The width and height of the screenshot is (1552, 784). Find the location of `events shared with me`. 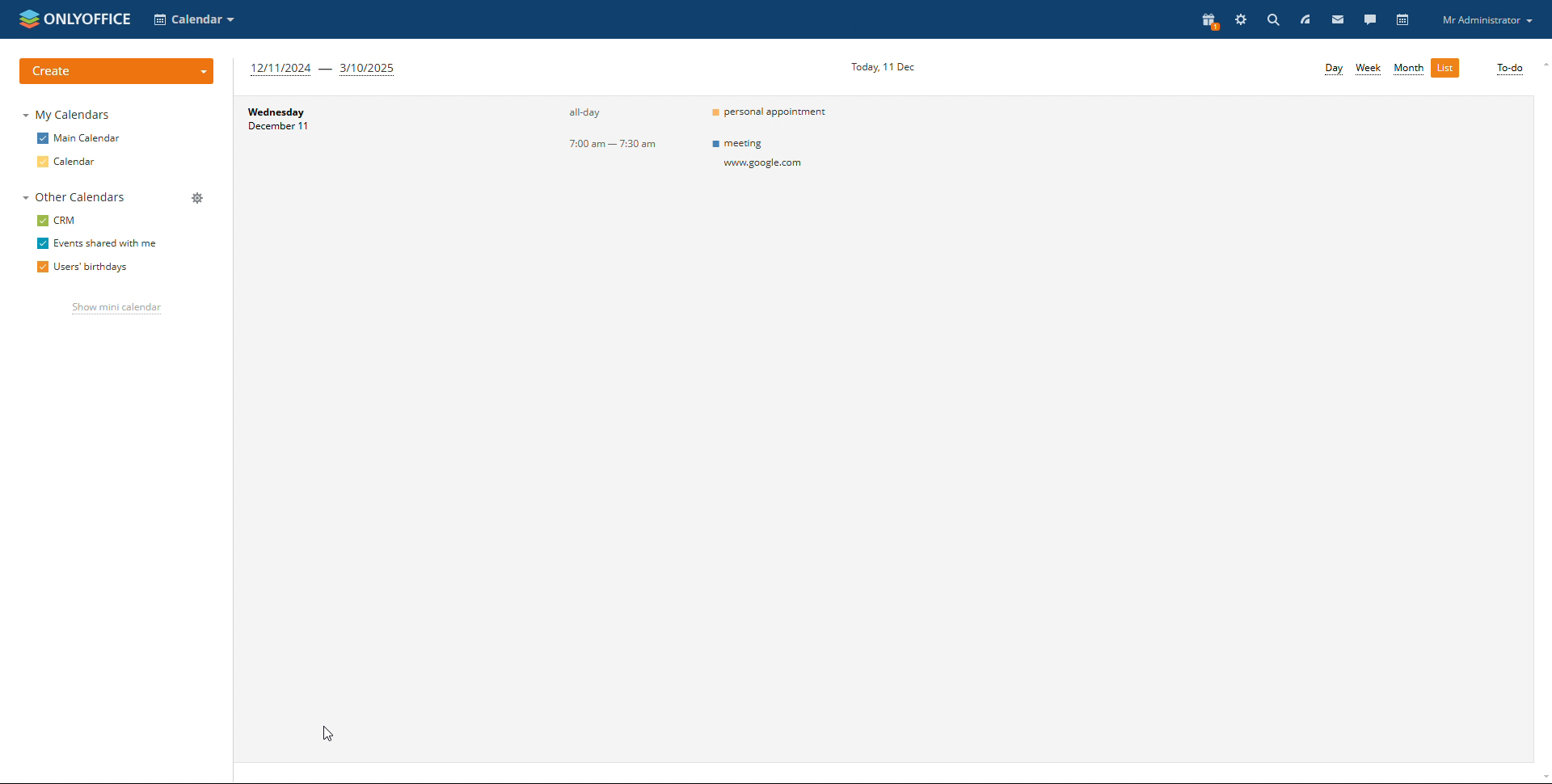

events shared with me is located at coordinates (98, 243).